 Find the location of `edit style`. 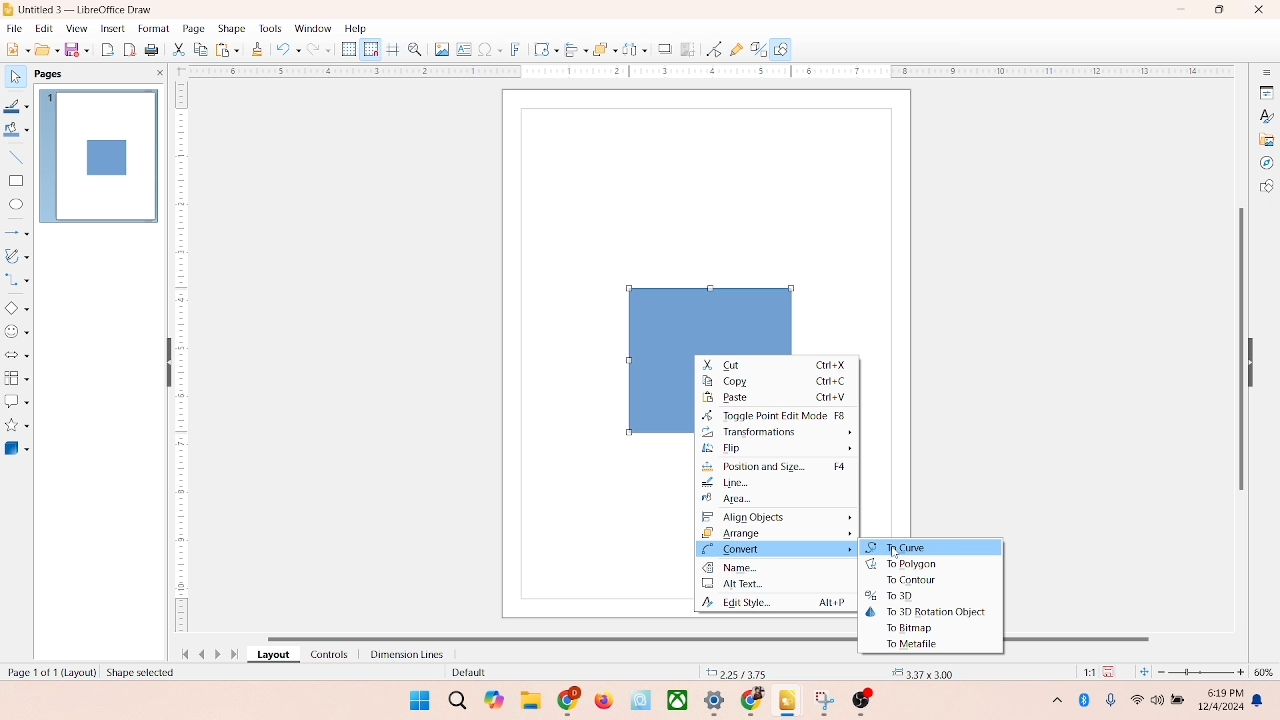

edit style is located at coordinates (772, 604).